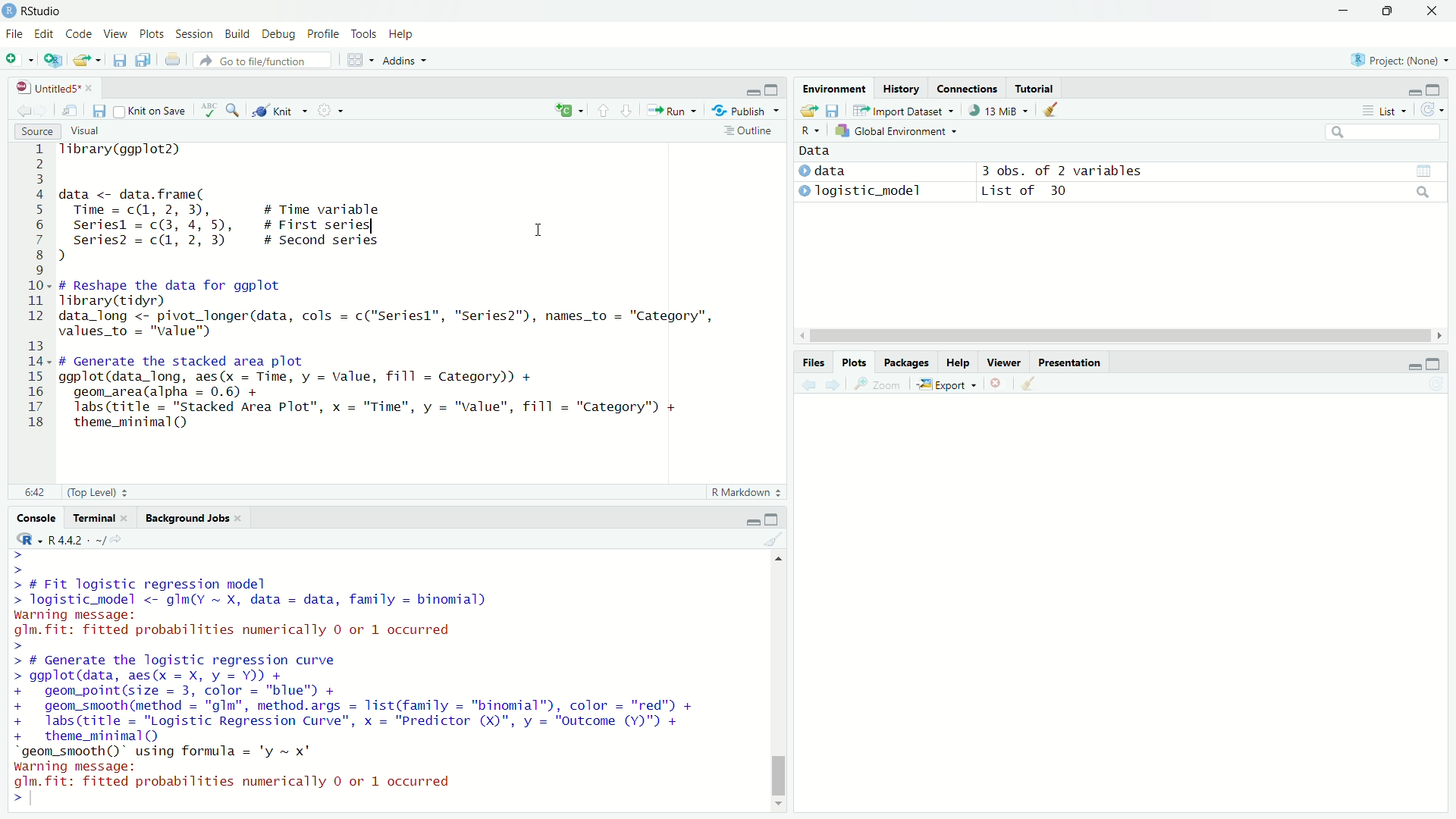 This screenshot has width=1456, height=819. Describe the element at coordinates (907, 363) in the screenshot. I see `Packages` at that location.